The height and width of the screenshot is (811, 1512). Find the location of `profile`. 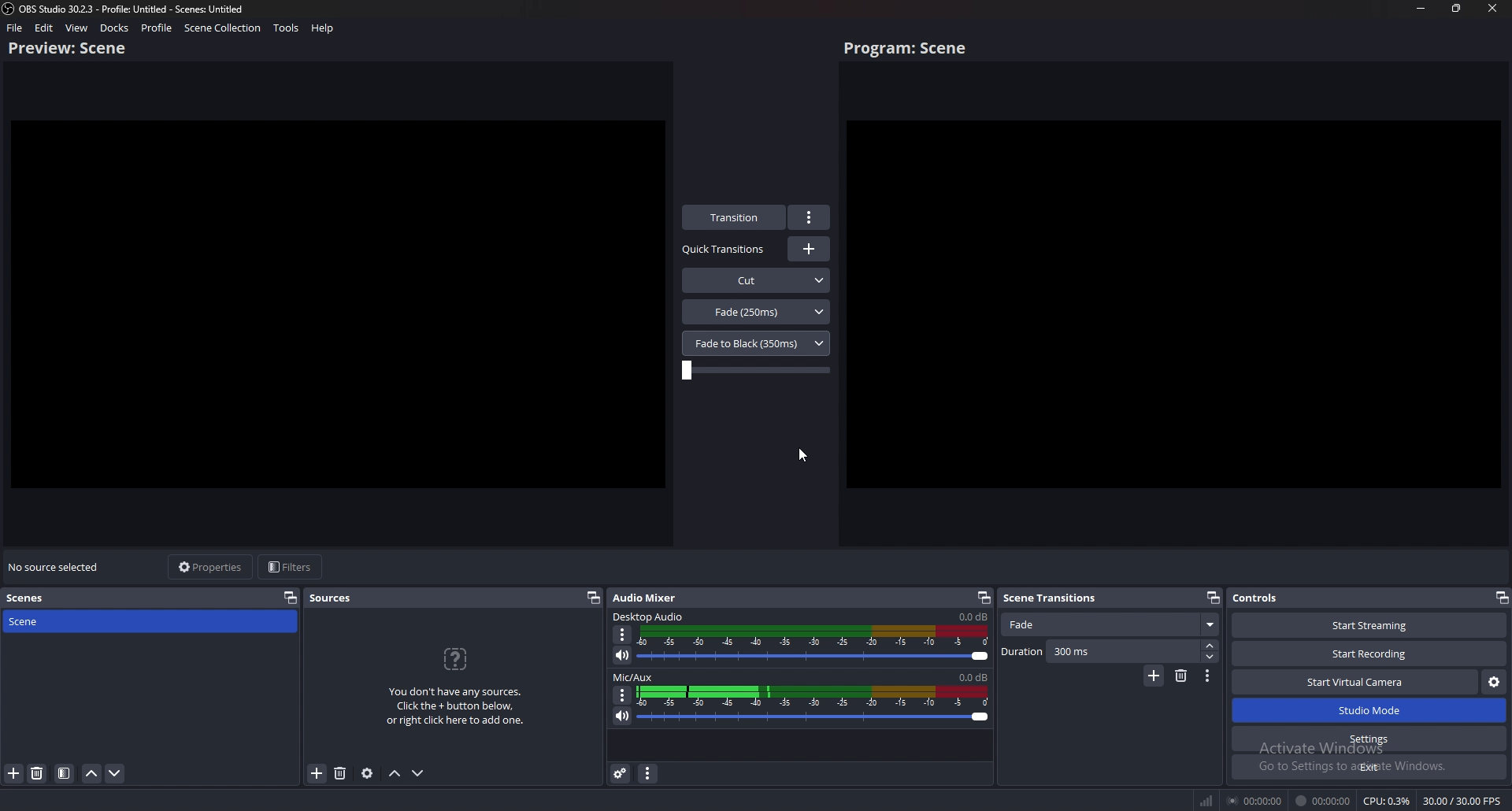

profile is located at coordinates (158, 28).